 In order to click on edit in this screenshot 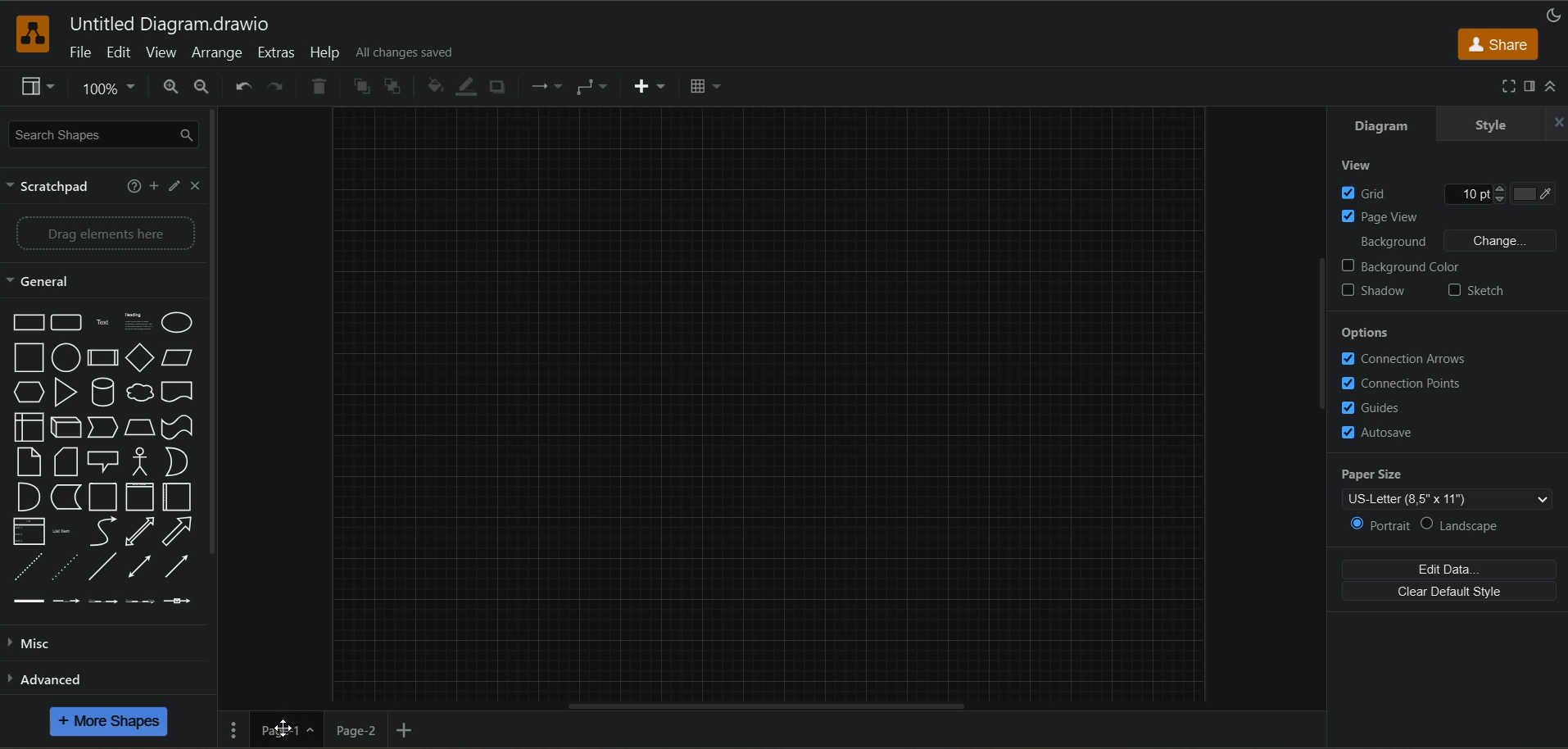, I will do `click(123, 52)`.